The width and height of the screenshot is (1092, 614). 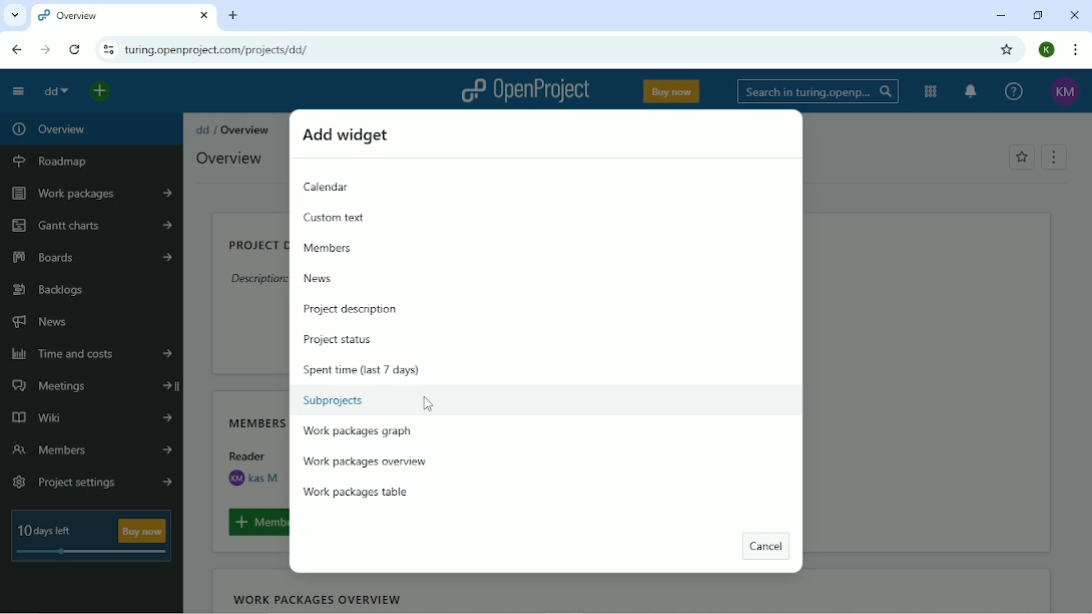 I want to click on Restore down, so click(x=1037, y=15).